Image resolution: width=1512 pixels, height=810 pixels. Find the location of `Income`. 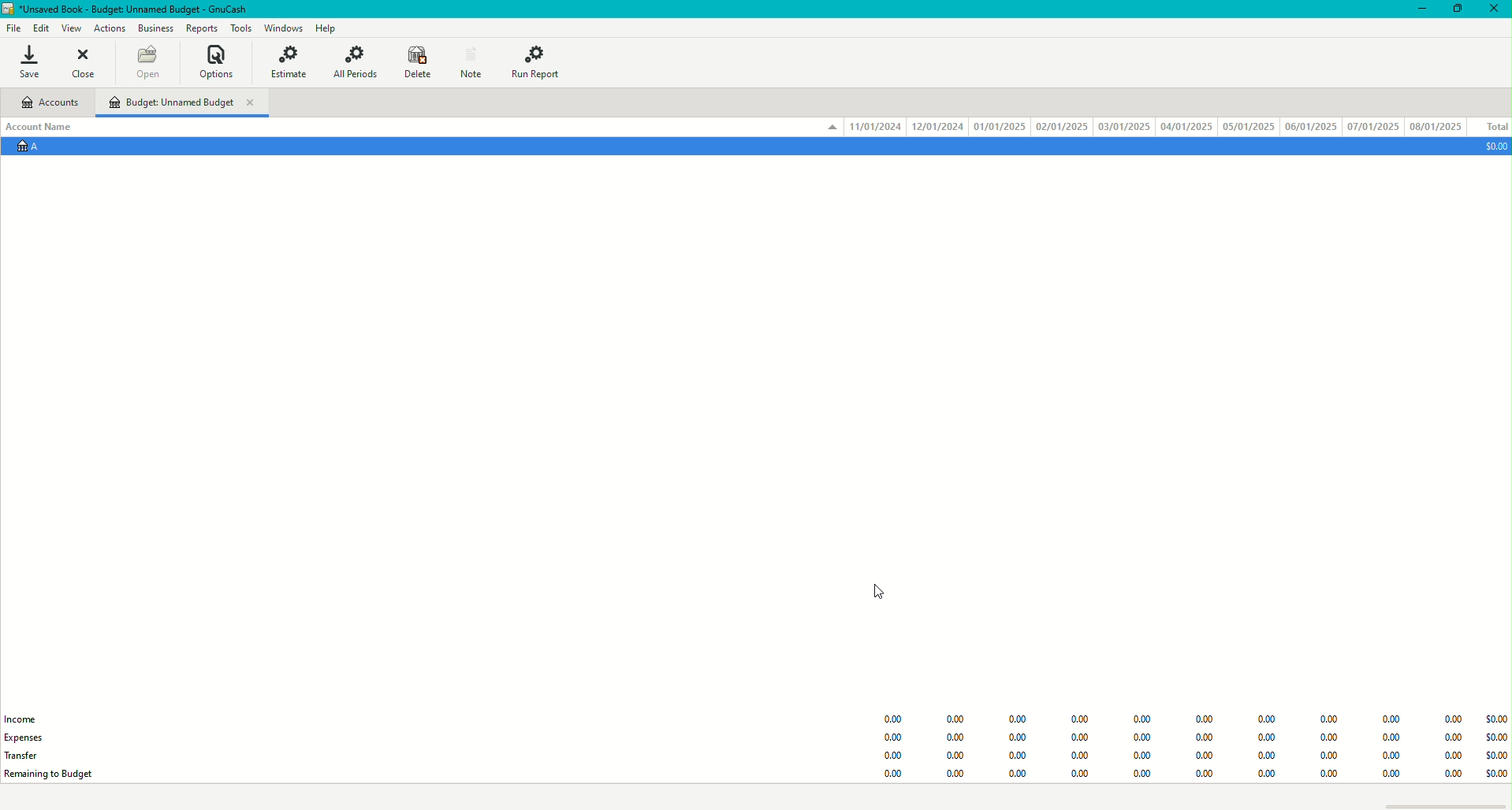

Income is located at coordinates (24, 719).